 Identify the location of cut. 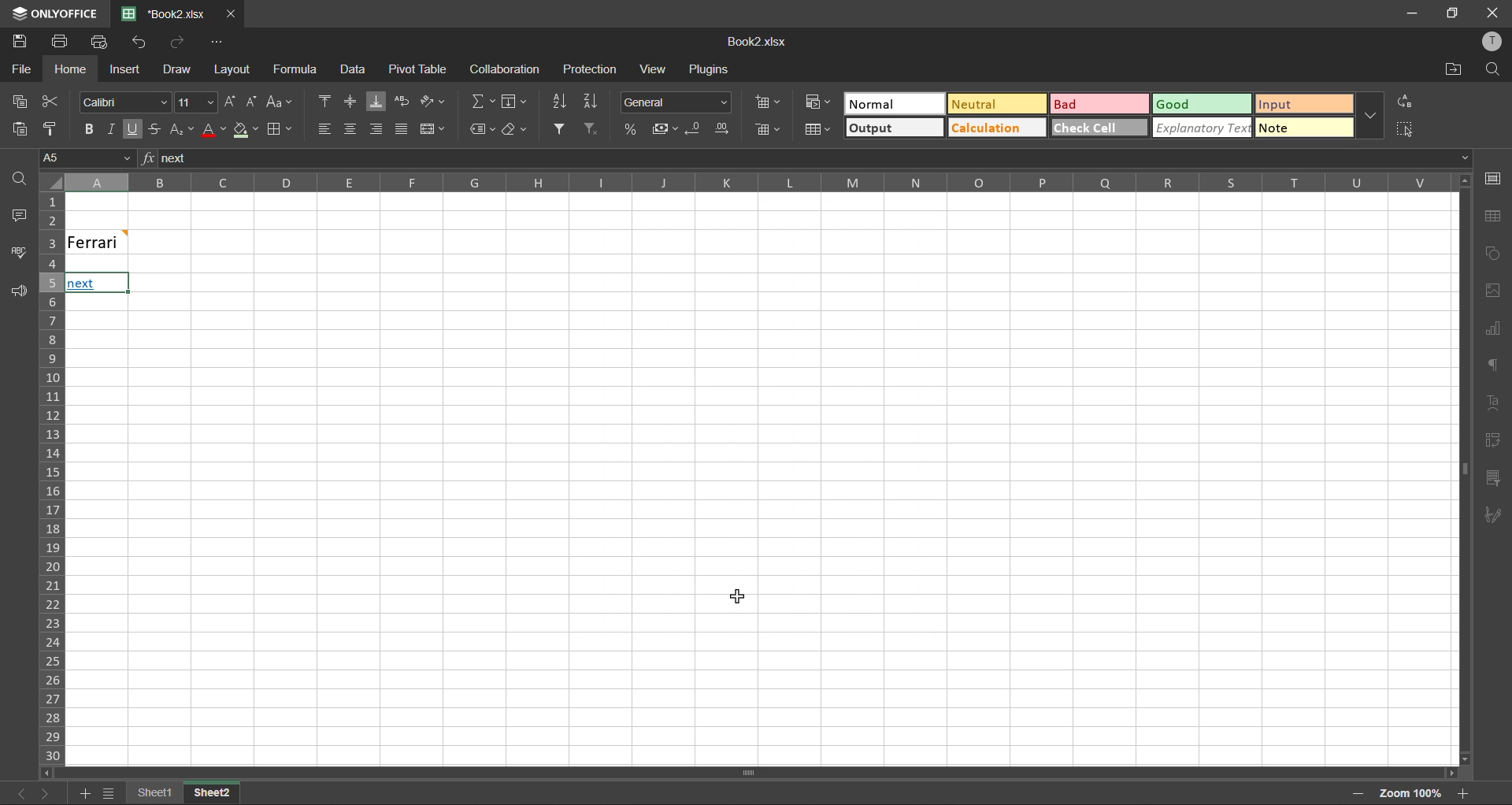
(50, 101).